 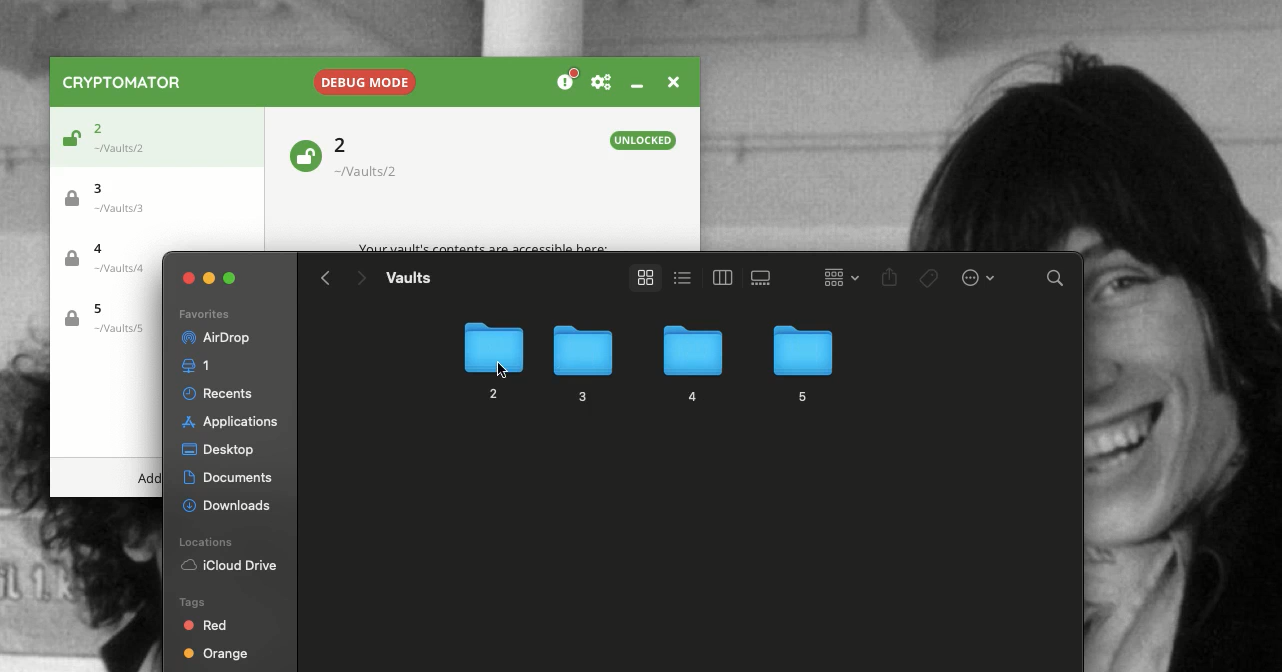 I want to click on Vault 2, so click(x=377, y=157).